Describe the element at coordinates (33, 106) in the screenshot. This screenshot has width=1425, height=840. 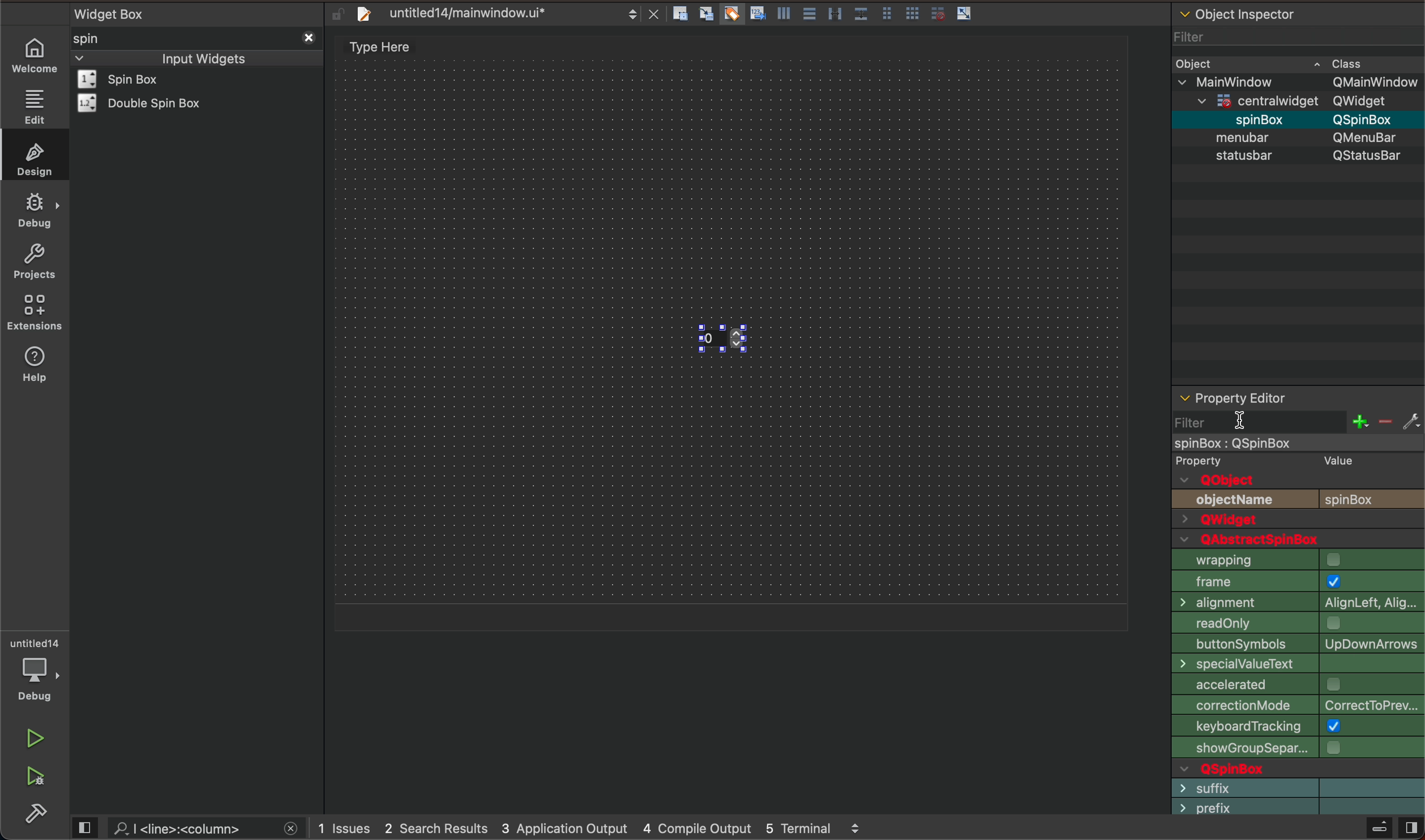
I see `edit` at that location.